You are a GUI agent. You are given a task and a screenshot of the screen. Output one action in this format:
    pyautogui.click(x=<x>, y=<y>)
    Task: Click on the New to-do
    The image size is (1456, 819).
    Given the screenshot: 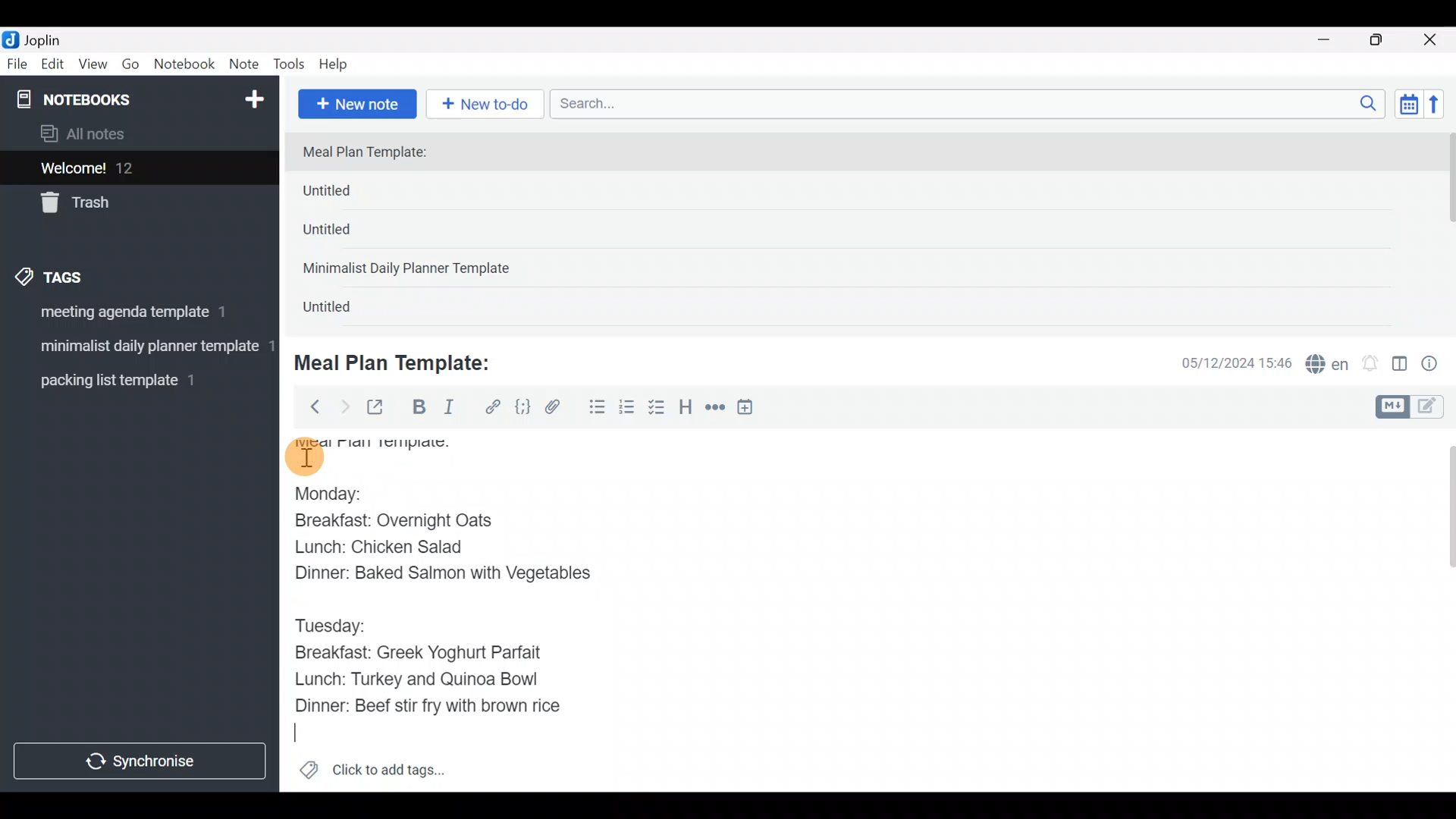 What is the action you would take?
    pyautogui.click(x=488, y=105)
    